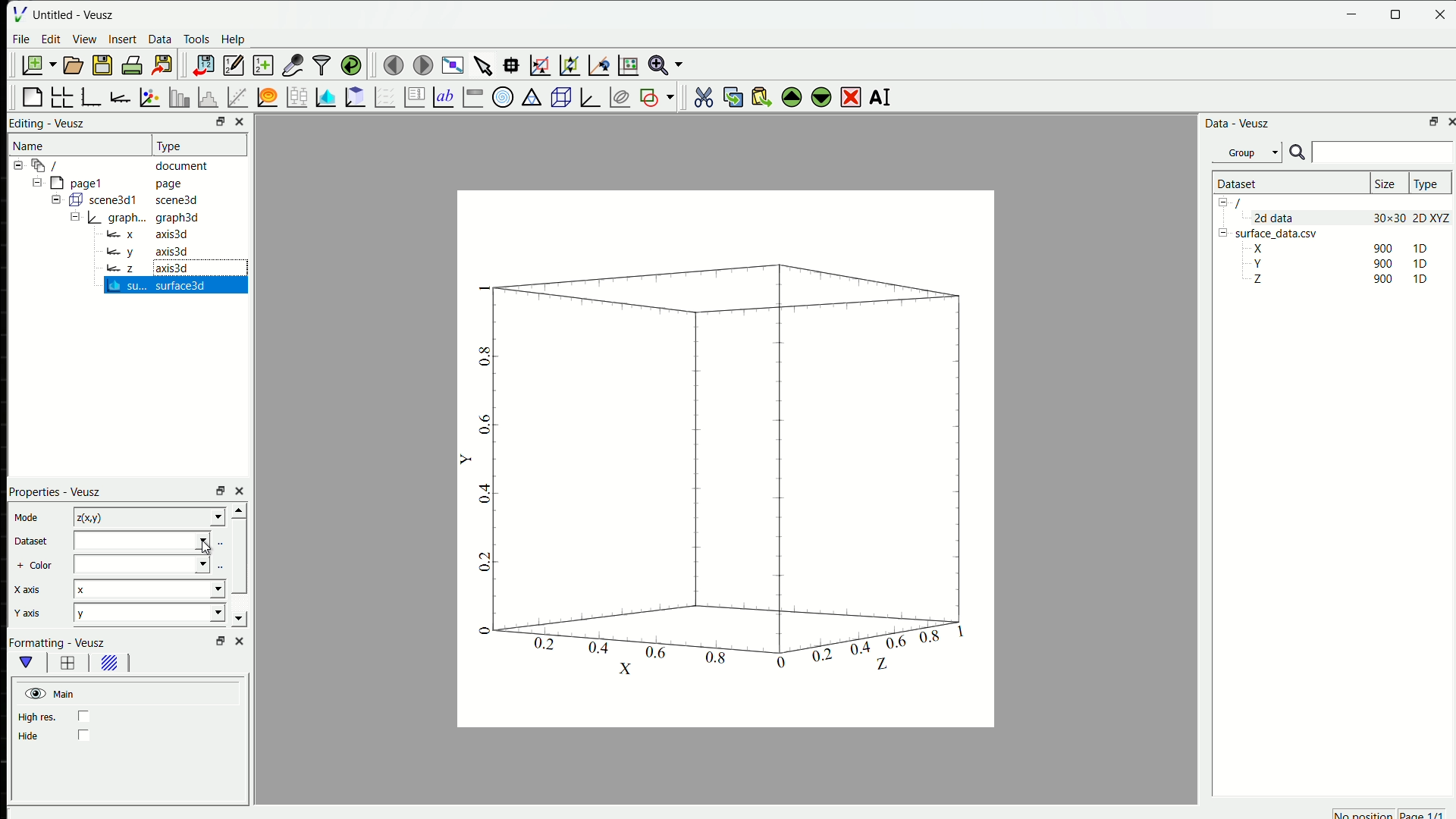 This screenshot has width=1456, height=819. What do you see at coordinates (27, 516) in the screenshot?
I see `Mode` at bounding box center [27, 516].